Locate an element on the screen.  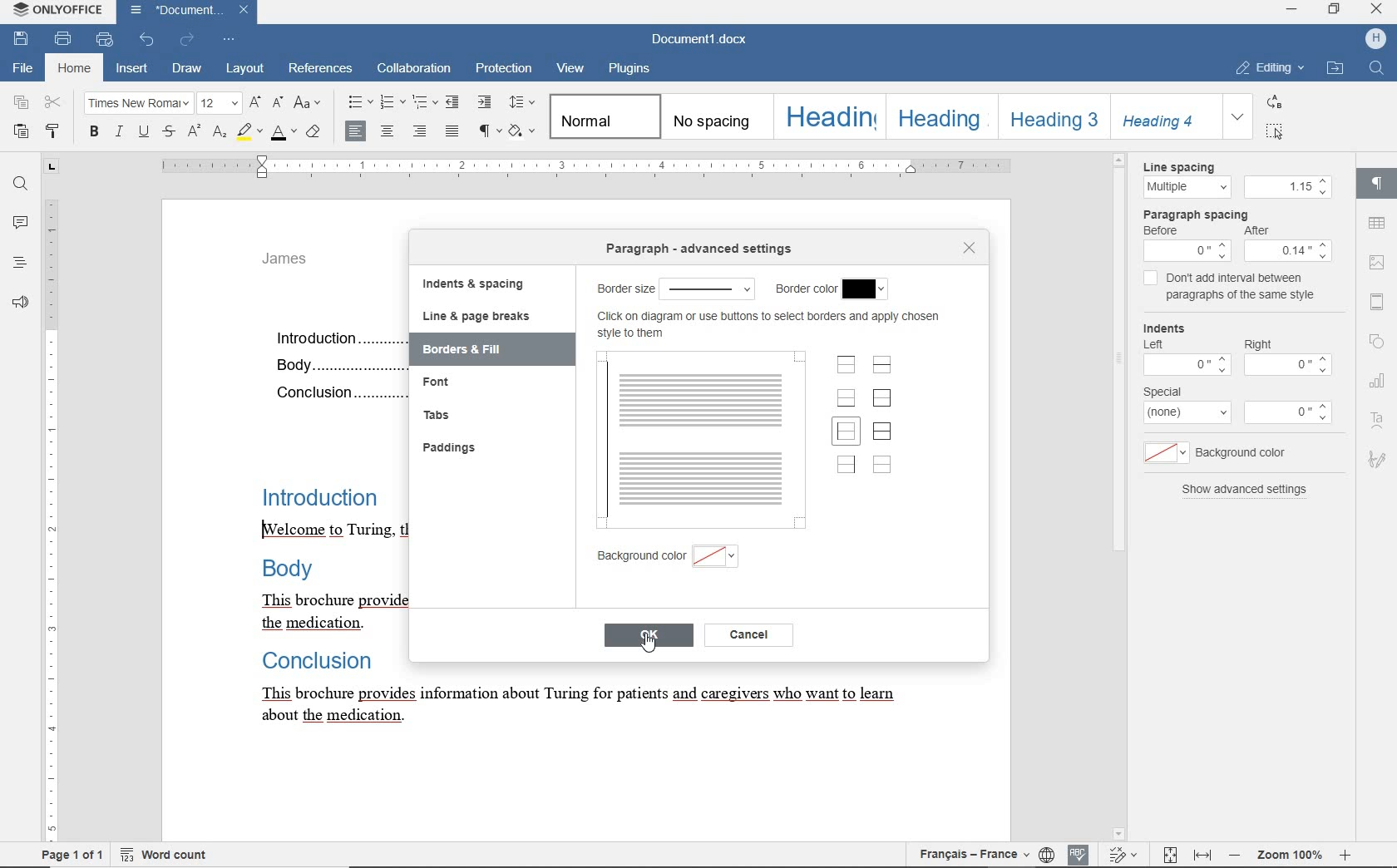
headings is located at coordinates (19, 264).